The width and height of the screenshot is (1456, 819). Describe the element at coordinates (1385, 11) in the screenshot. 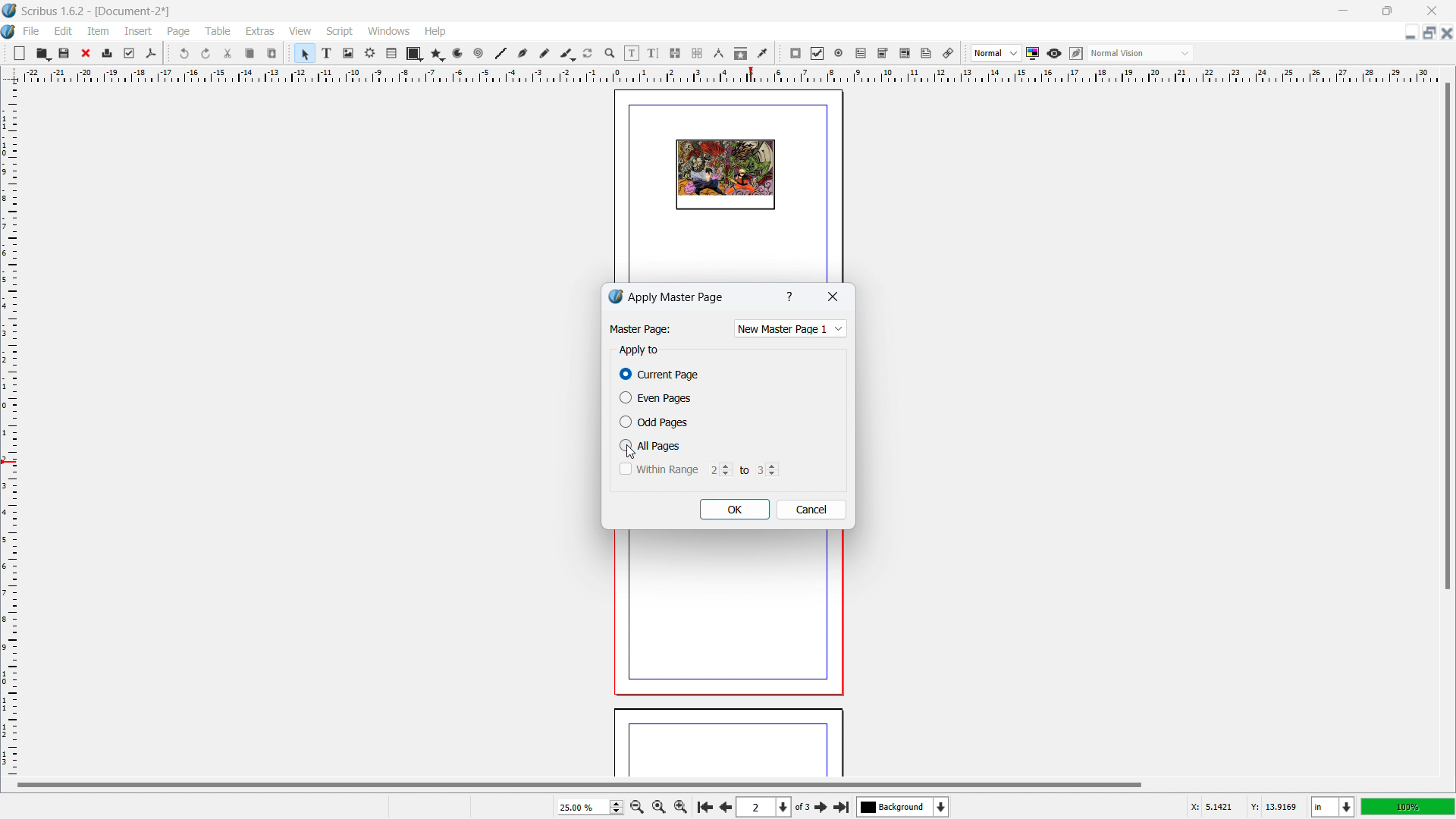

I see `maximize window` at that location.